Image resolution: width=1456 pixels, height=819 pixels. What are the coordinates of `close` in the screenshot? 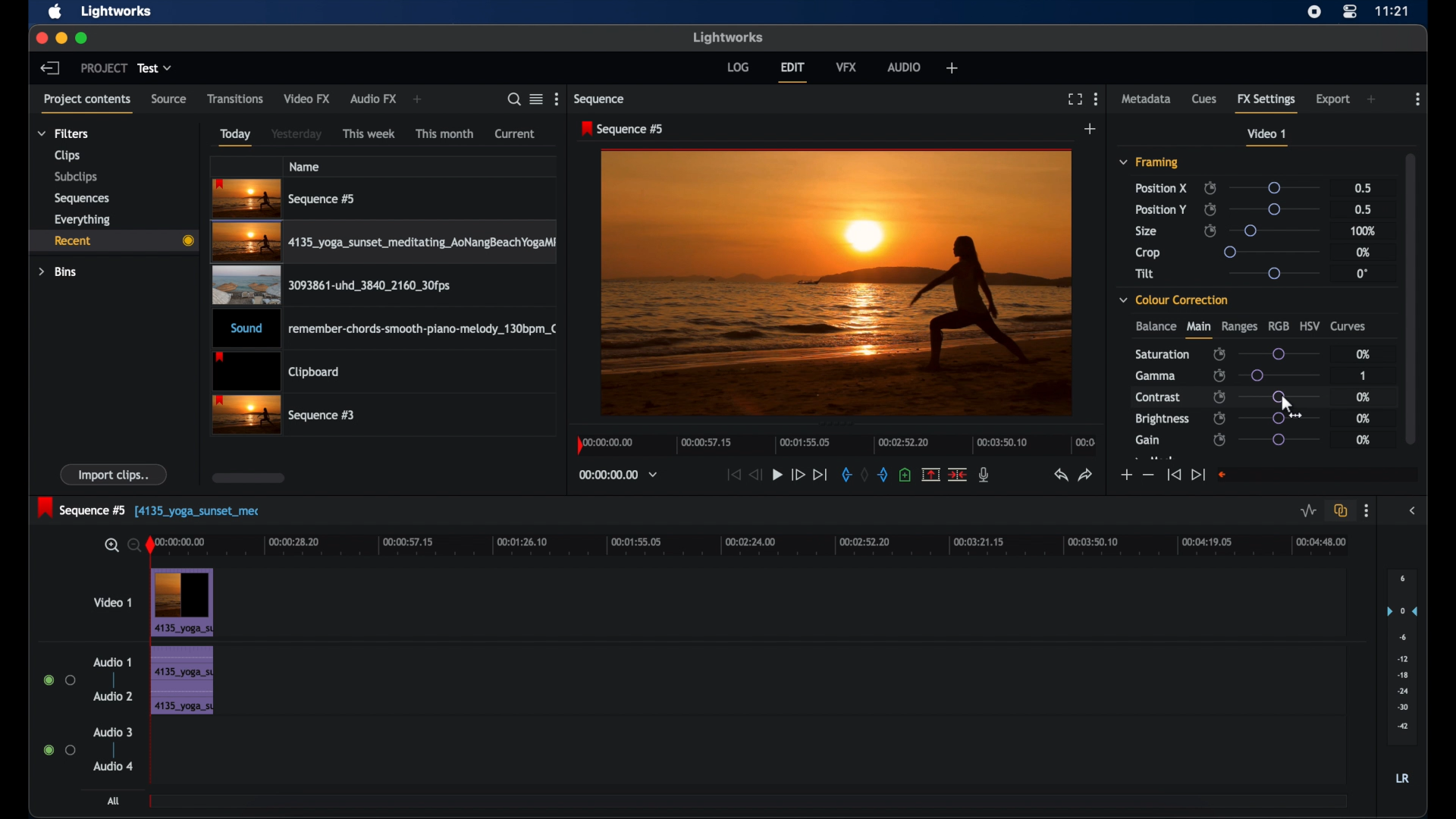 It's located at (40, 37).